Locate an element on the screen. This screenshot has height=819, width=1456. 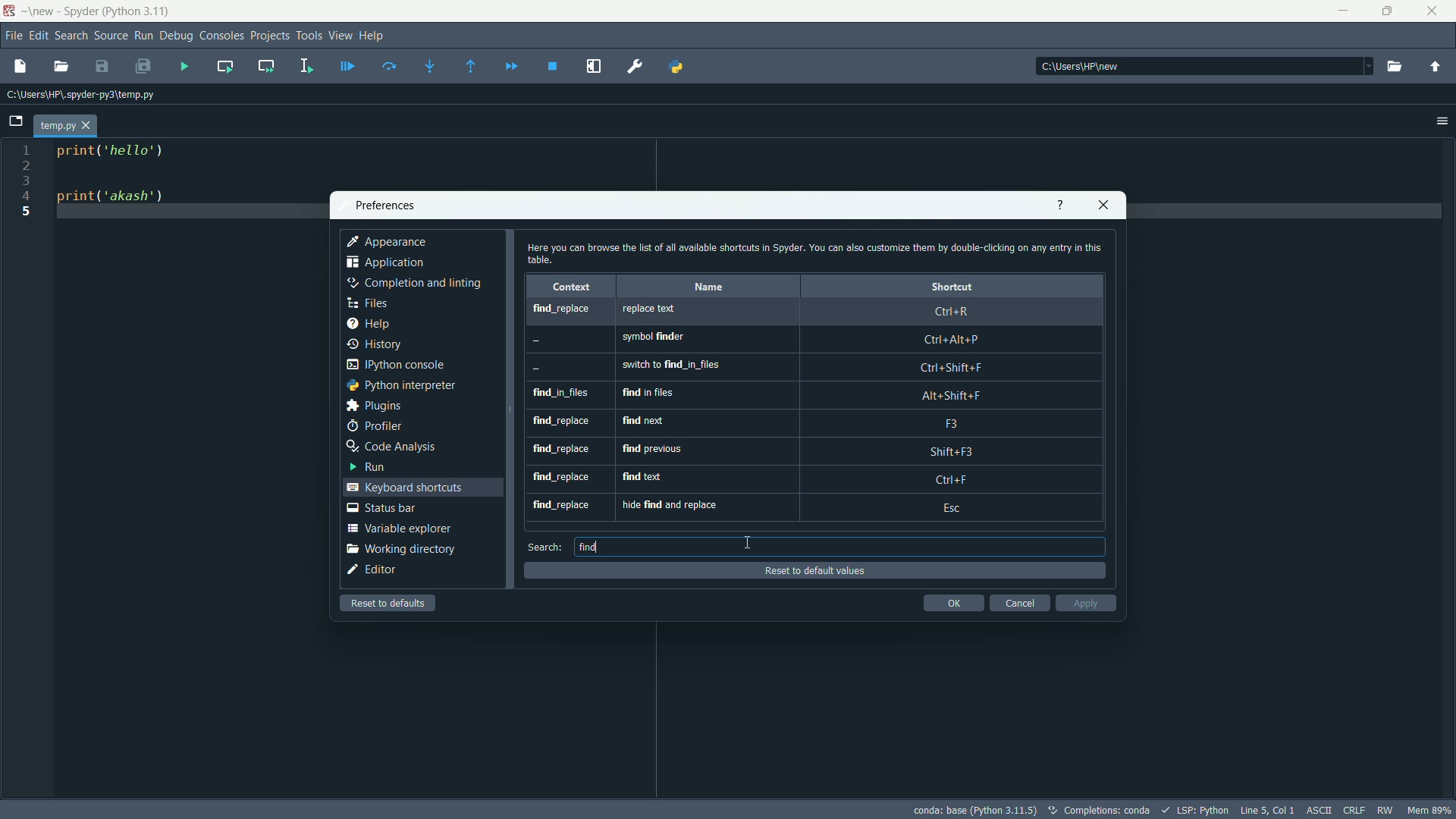
Mem 88% is located at coordinates (1430, 810).